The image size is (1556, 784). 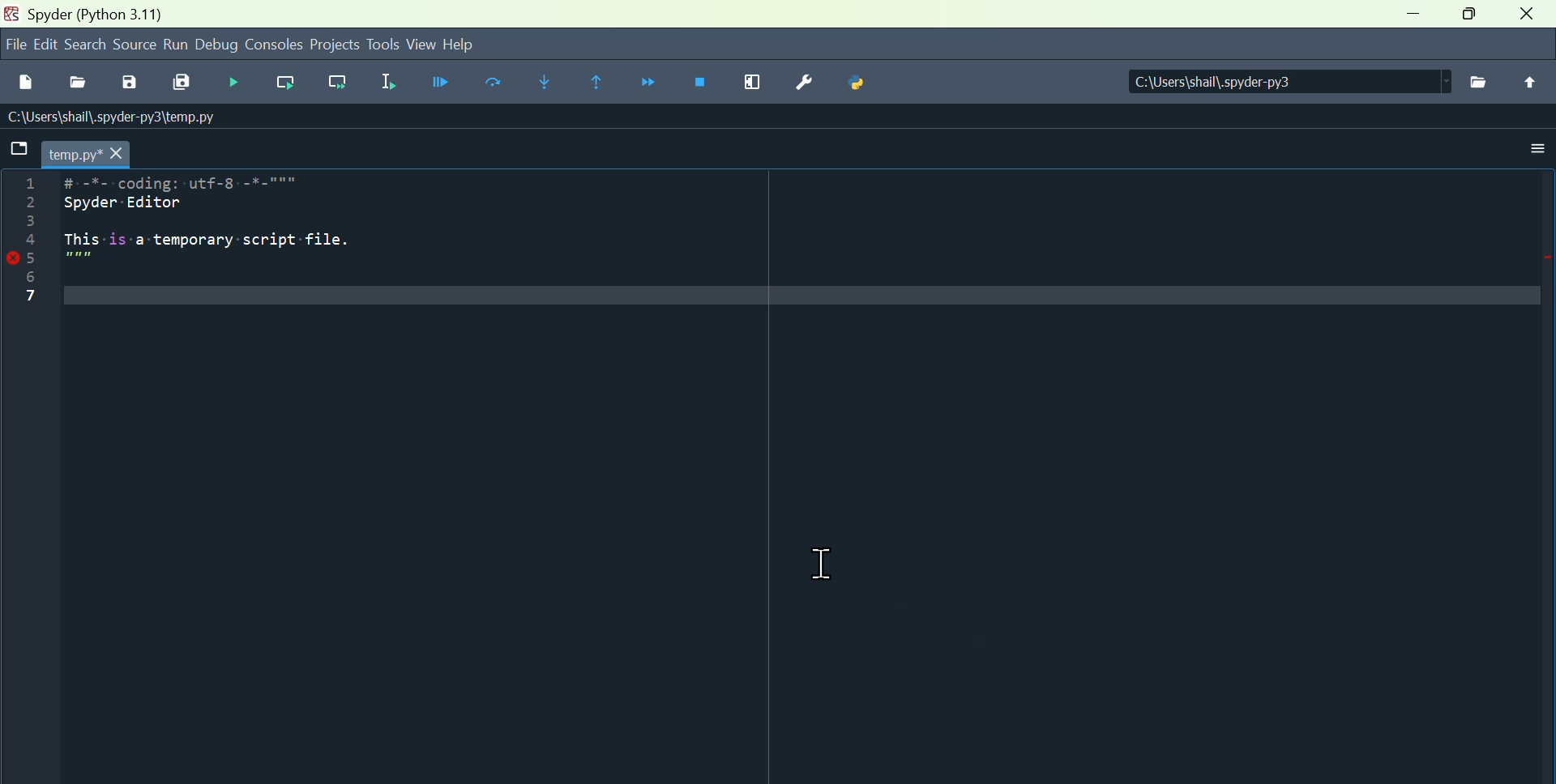 What do you see at coordinates (177, 45) in the screenshot?
I see `Run` at bounding box center [177, 45].